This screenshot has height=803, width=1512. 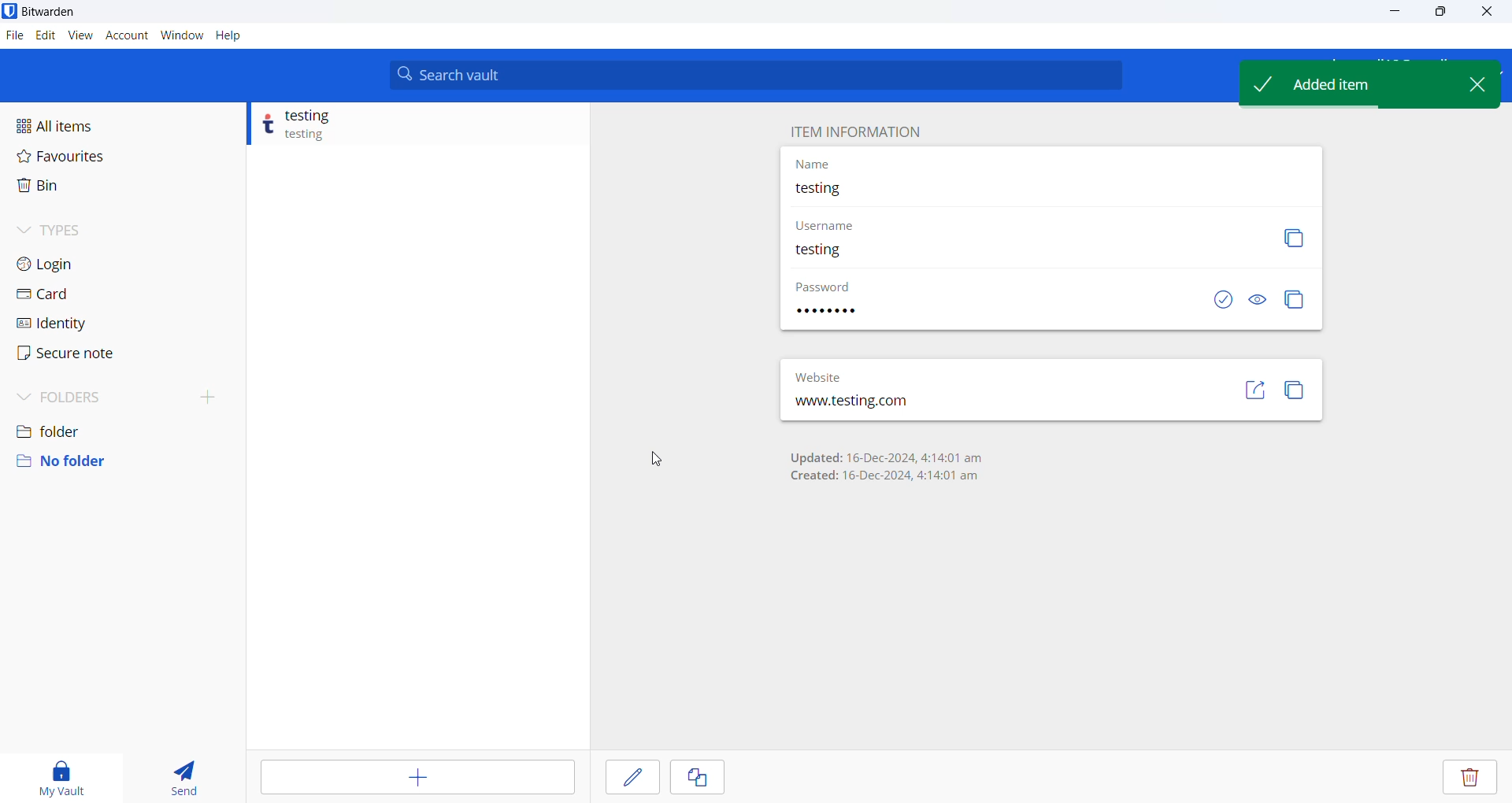 I want to click on name heading, so click(x=824, y=161).